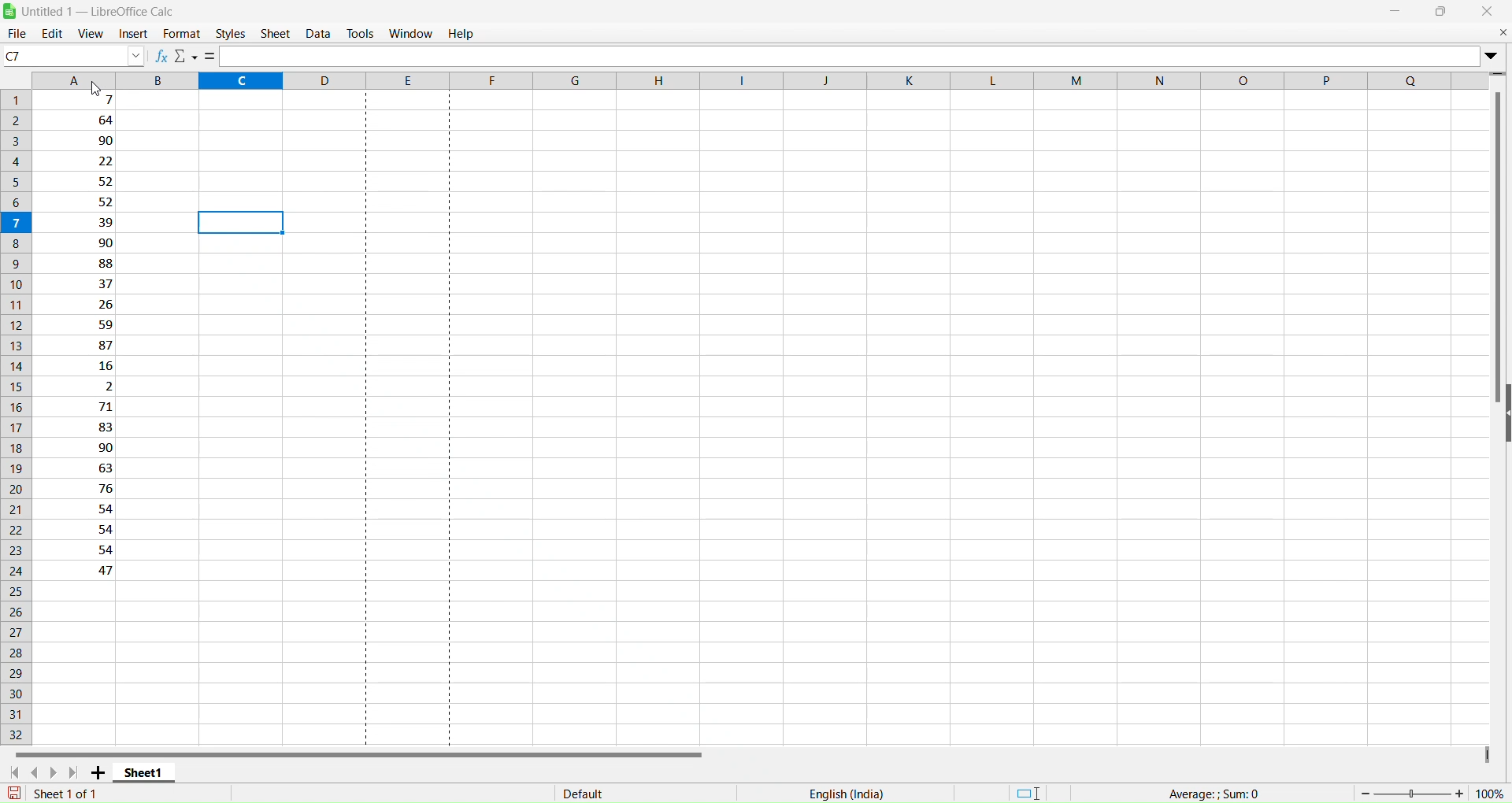 Image resolution: width=1512 pixels, height=803 pixels. I want to click on Active Cell, so click(72, 55).